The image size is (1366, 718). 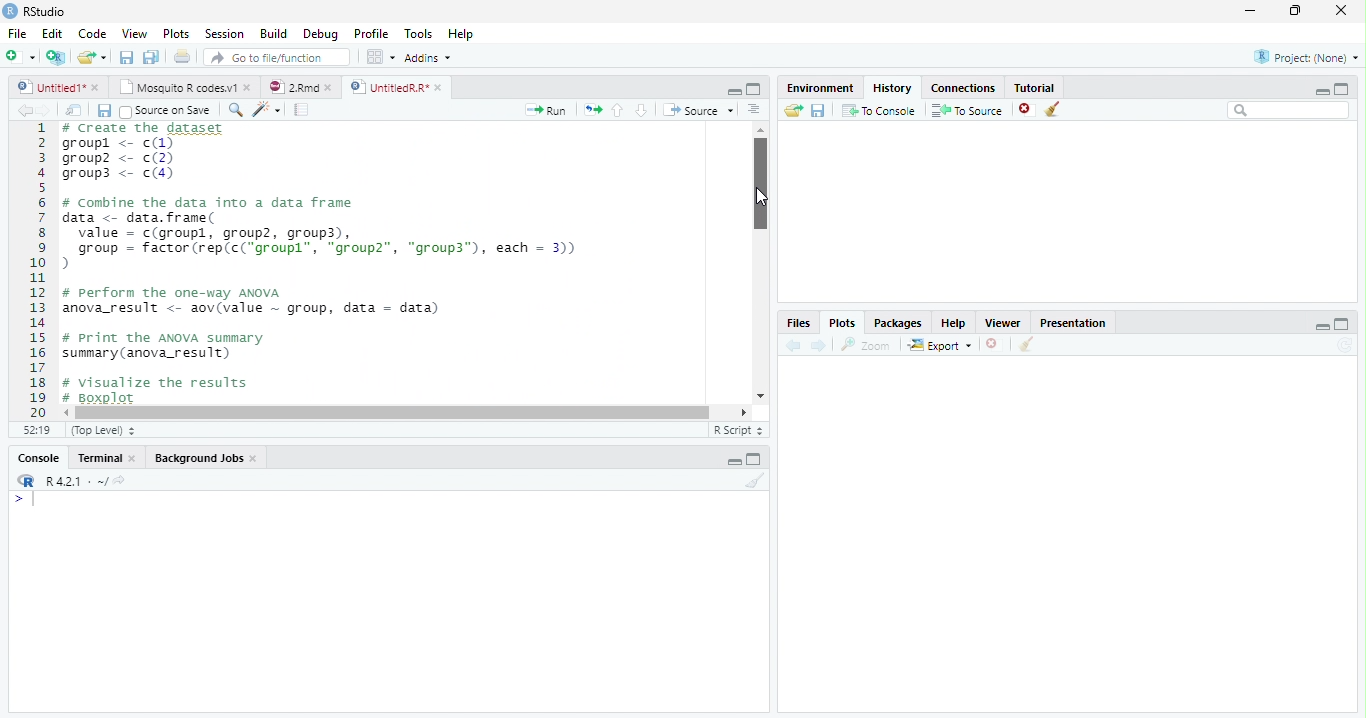 What do you see at coordinates (1339, 12) in the screenshot?
I see `Close` at bounding box center [1339, 12].